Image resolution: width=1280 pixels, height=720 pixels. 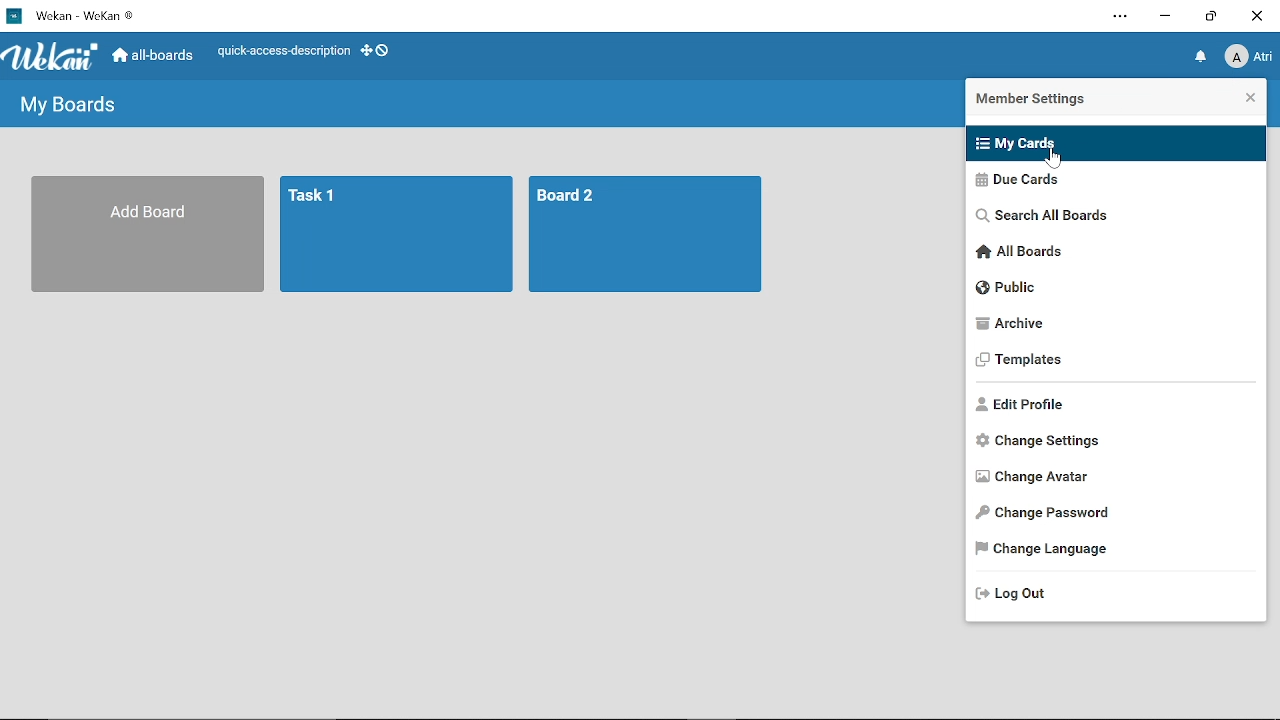 I want to click on Board titled "Board 2", so click(x=648, y=235).